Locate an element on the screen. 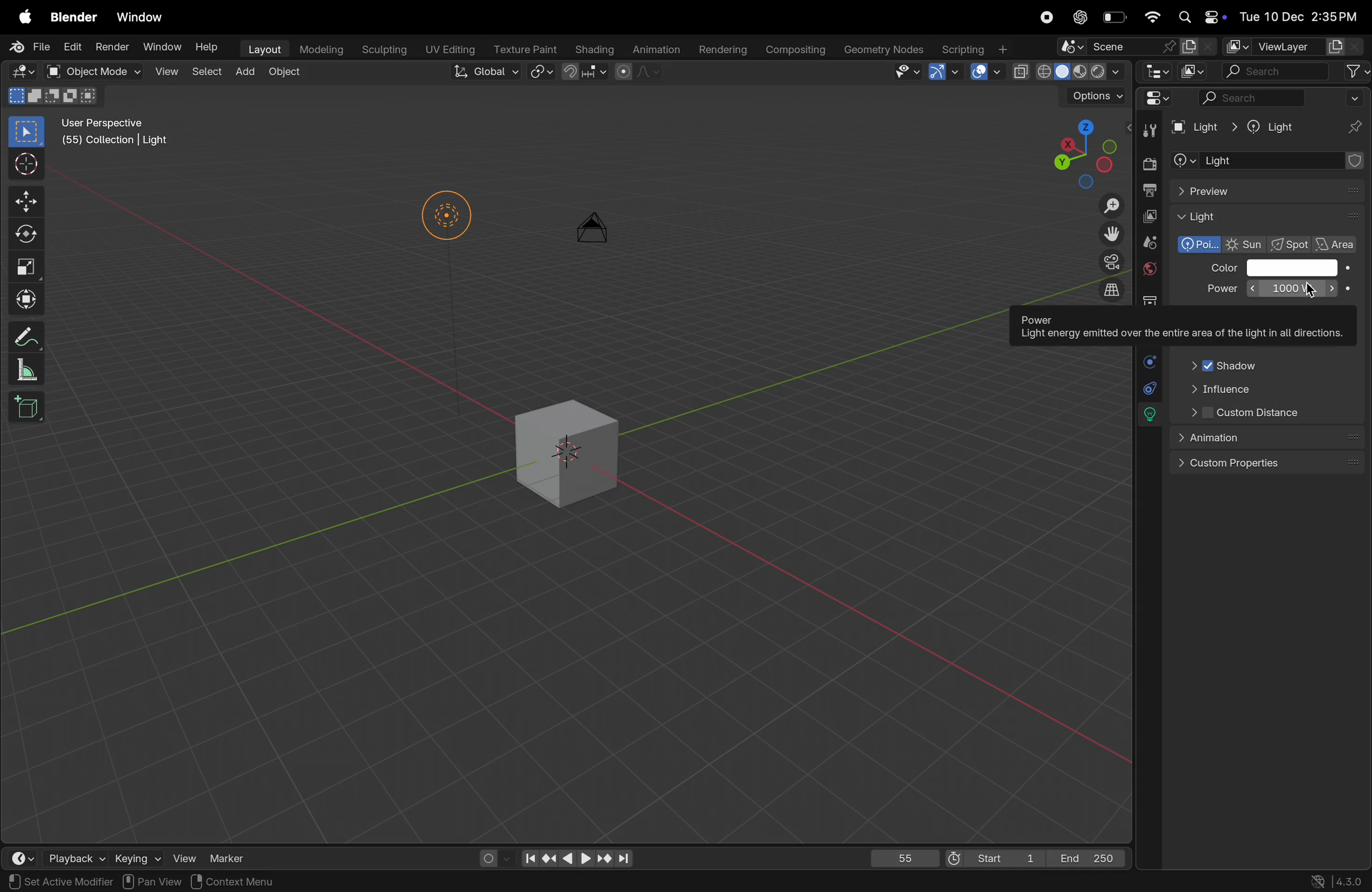 This screenshot has height=892, width=1372. view port shading is located at coordinates (1073, 73).